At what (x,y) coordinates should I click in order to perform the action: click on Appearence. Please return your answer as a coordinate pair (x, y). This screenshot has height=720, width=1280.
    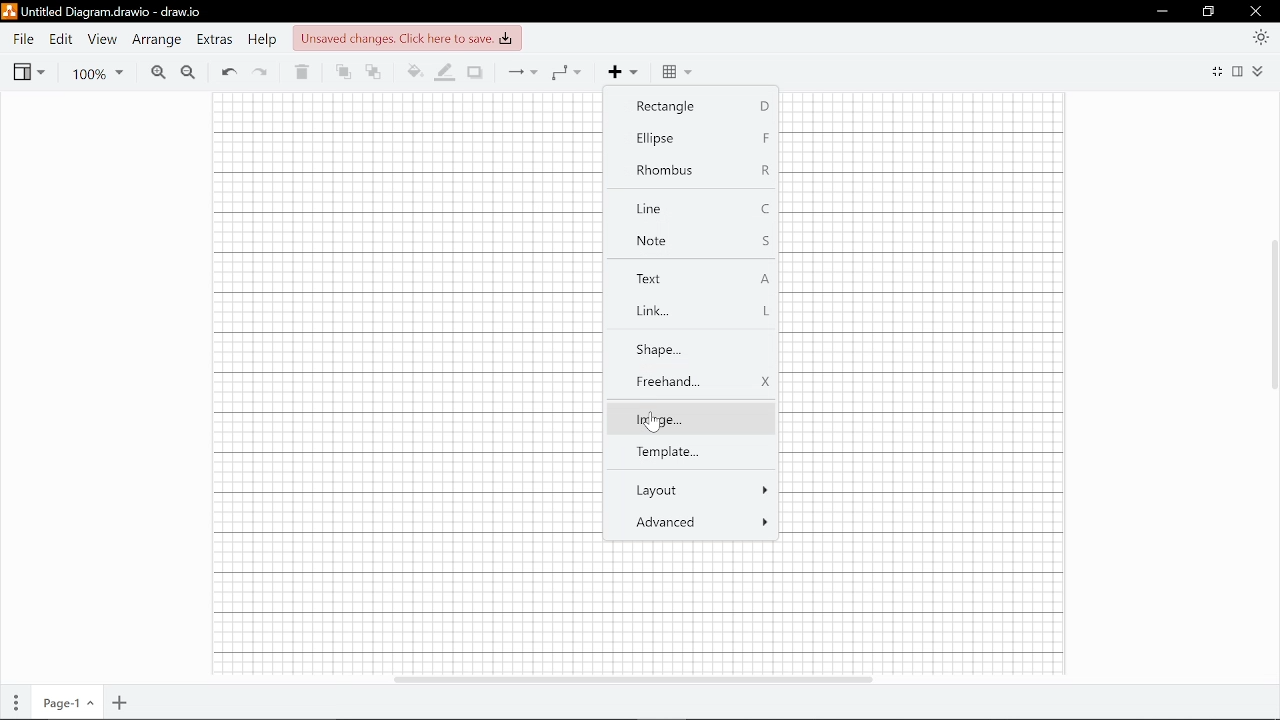
    Looking at the image, I should click on (1262, 37).